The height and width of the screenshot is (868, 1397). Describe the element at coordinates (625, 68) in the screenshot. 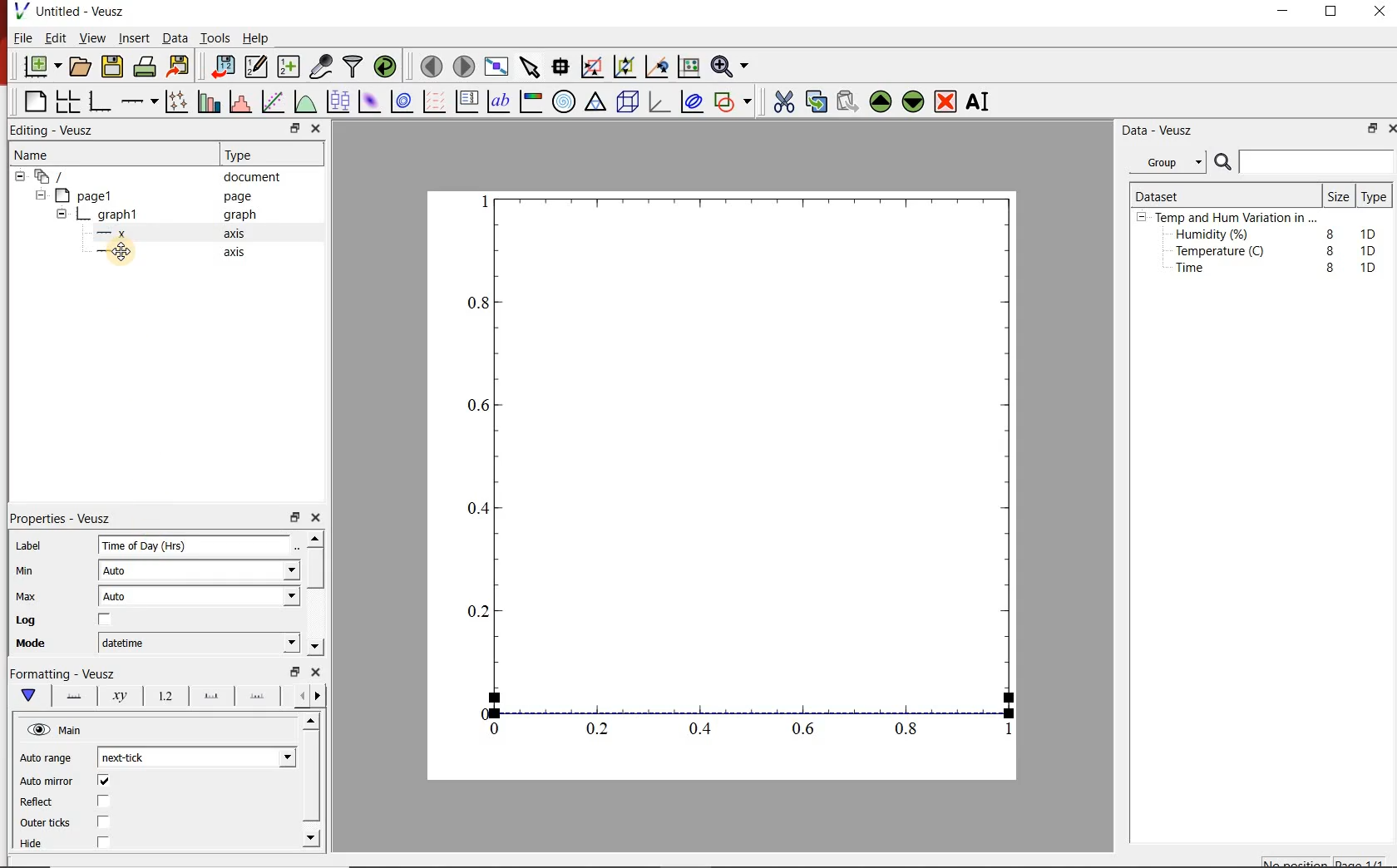

I see `click to zoom out of graph axes` at that location.